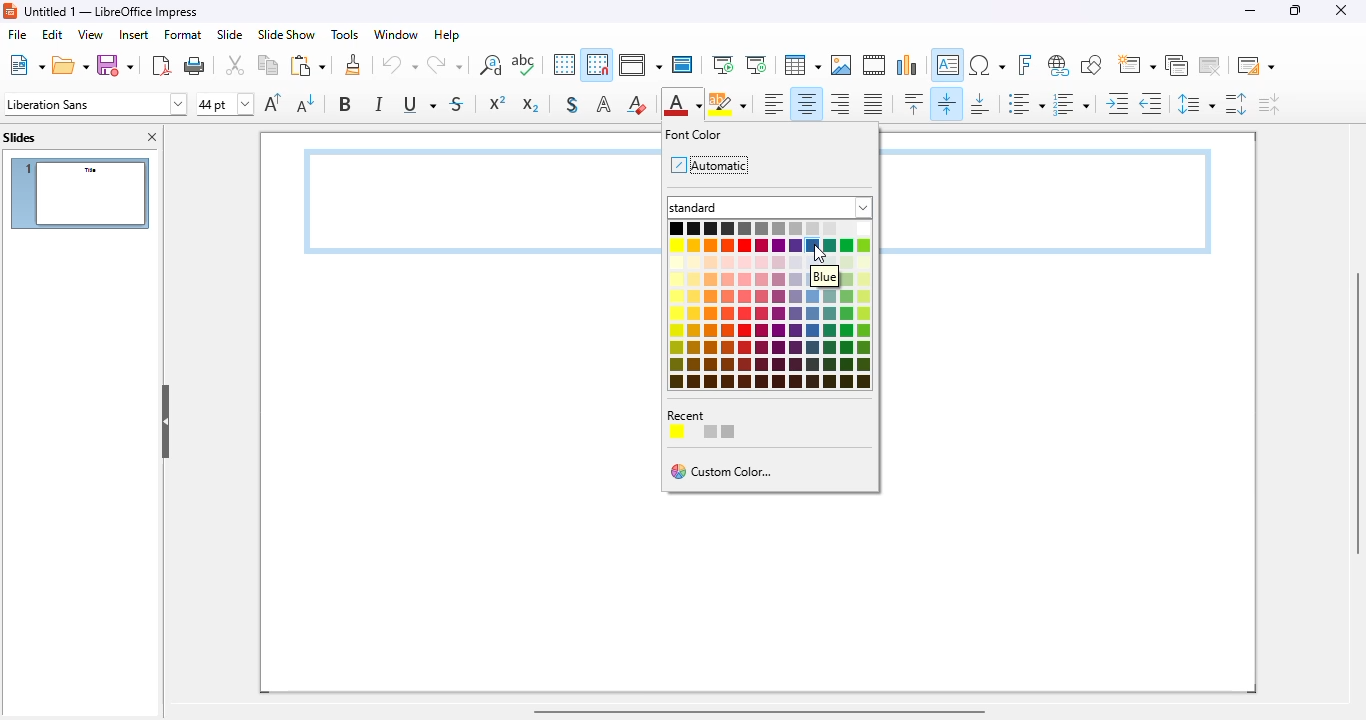 This screenshot has height=720, width=1366. I want to click on view, so click(90, 34).